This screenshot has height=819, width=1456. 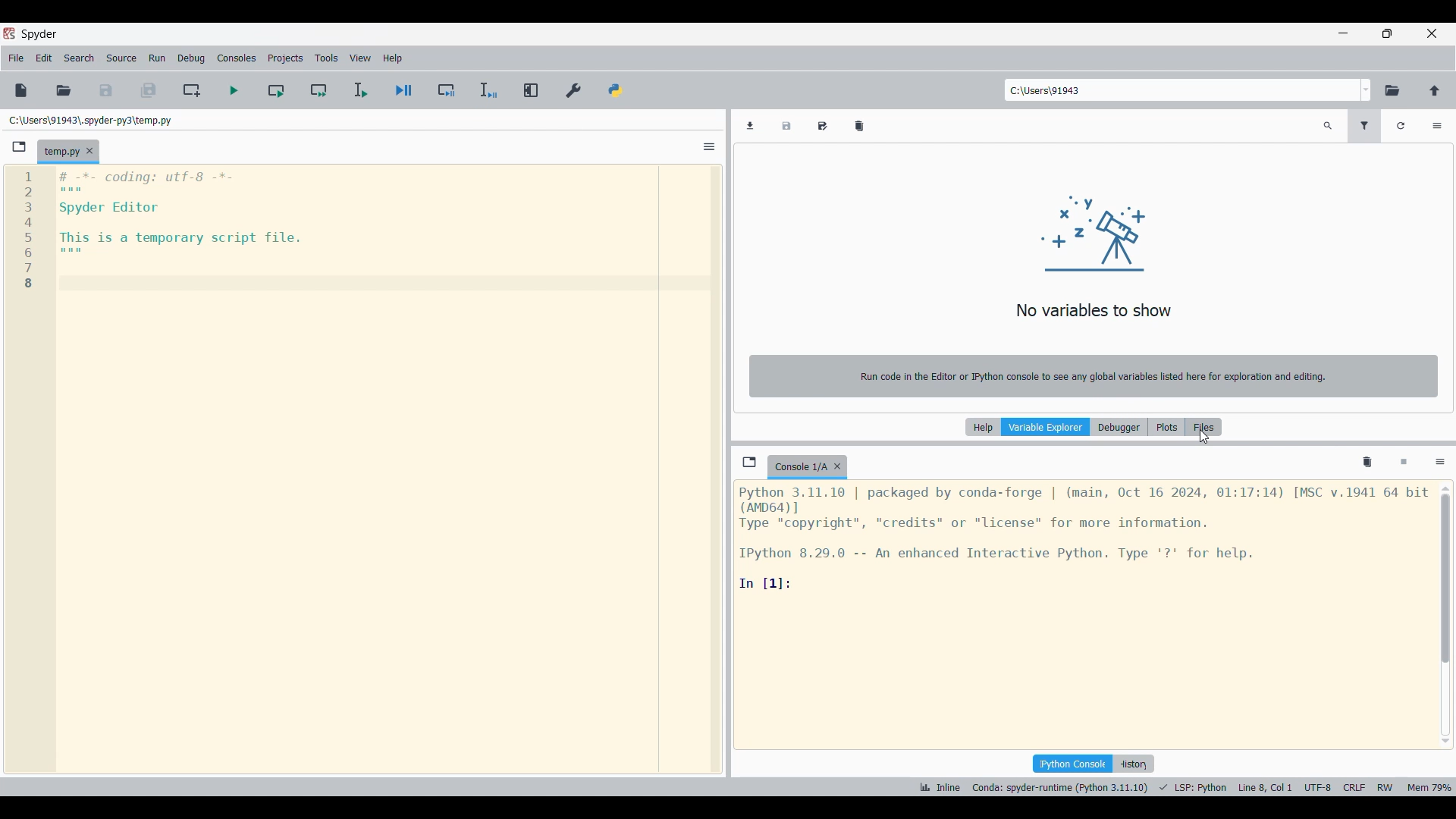 What do you see at coordinates (488, 90) in the screenshot?
I see `Debug selection/current line` at bounding box center [488, 90].